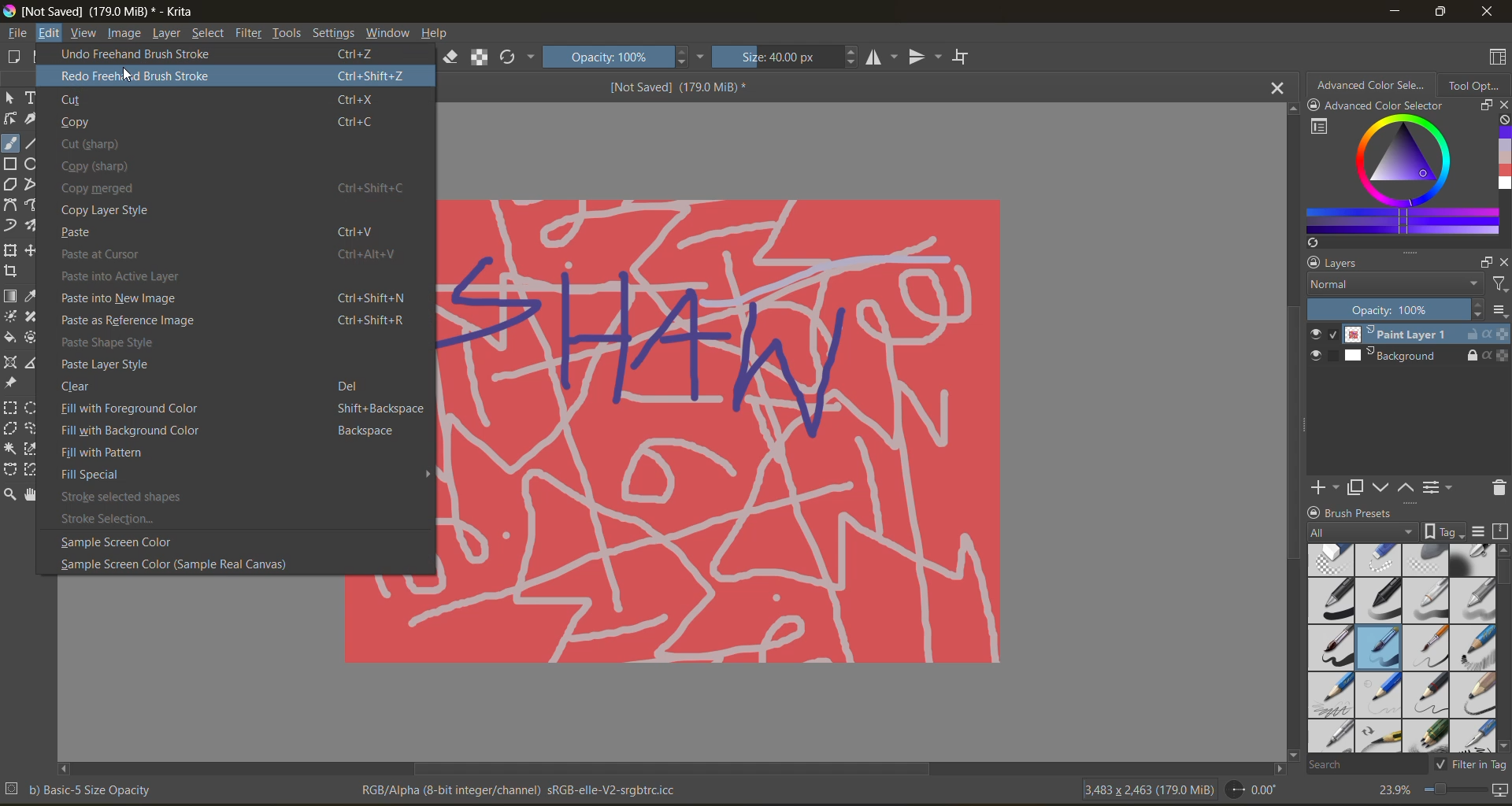 The image size is (1512, 806). Describe the element at coordinates (1290, 109) in the screenshot. I see `scroll up` at that location.